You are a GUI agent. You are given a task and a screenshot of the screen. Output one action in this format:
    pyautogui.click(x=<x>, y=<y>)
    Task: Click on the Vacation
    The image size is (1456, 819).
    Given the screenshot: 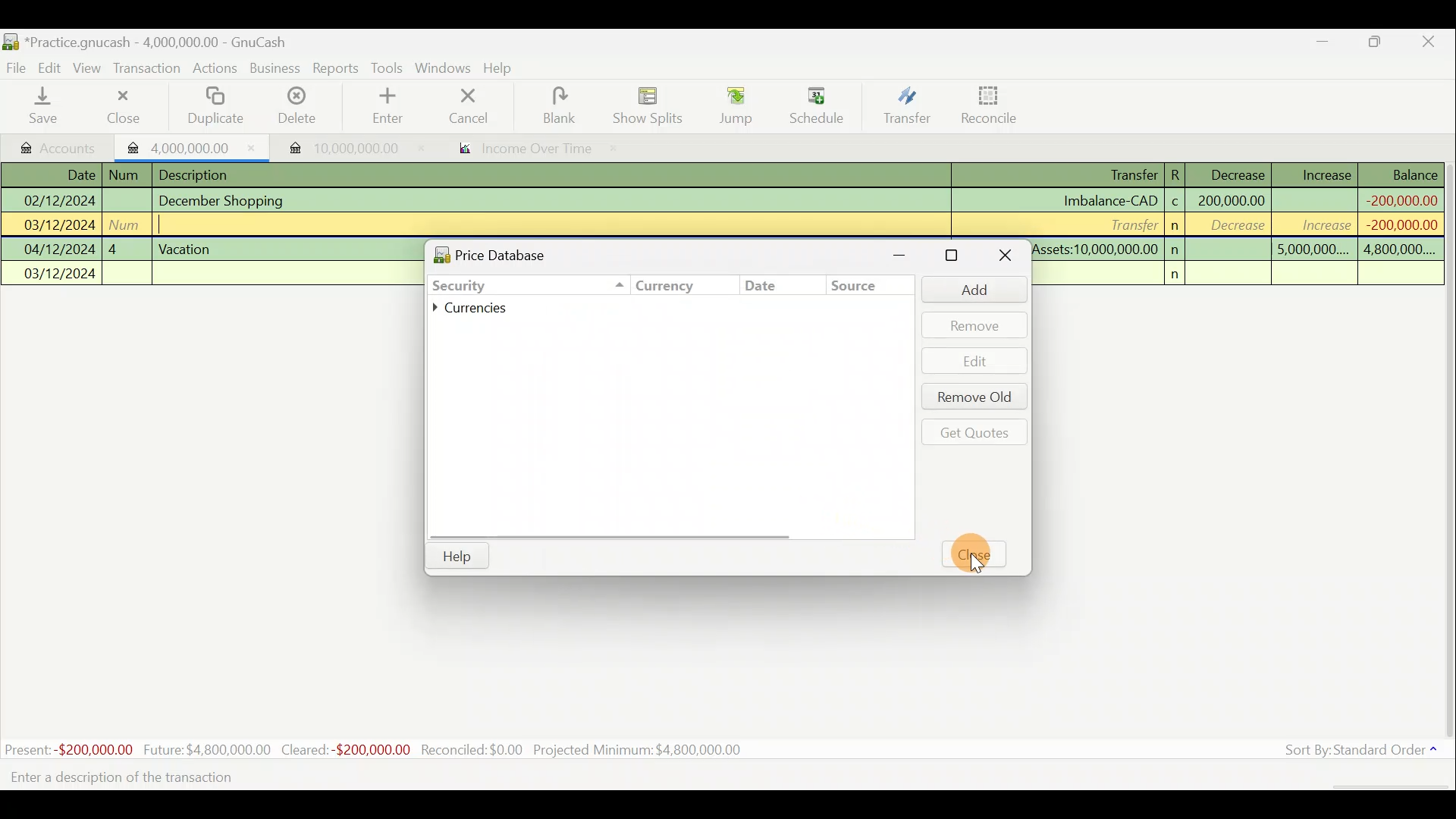 What is the action you would take?
    pyautogui.click(x=187, y=247)
    